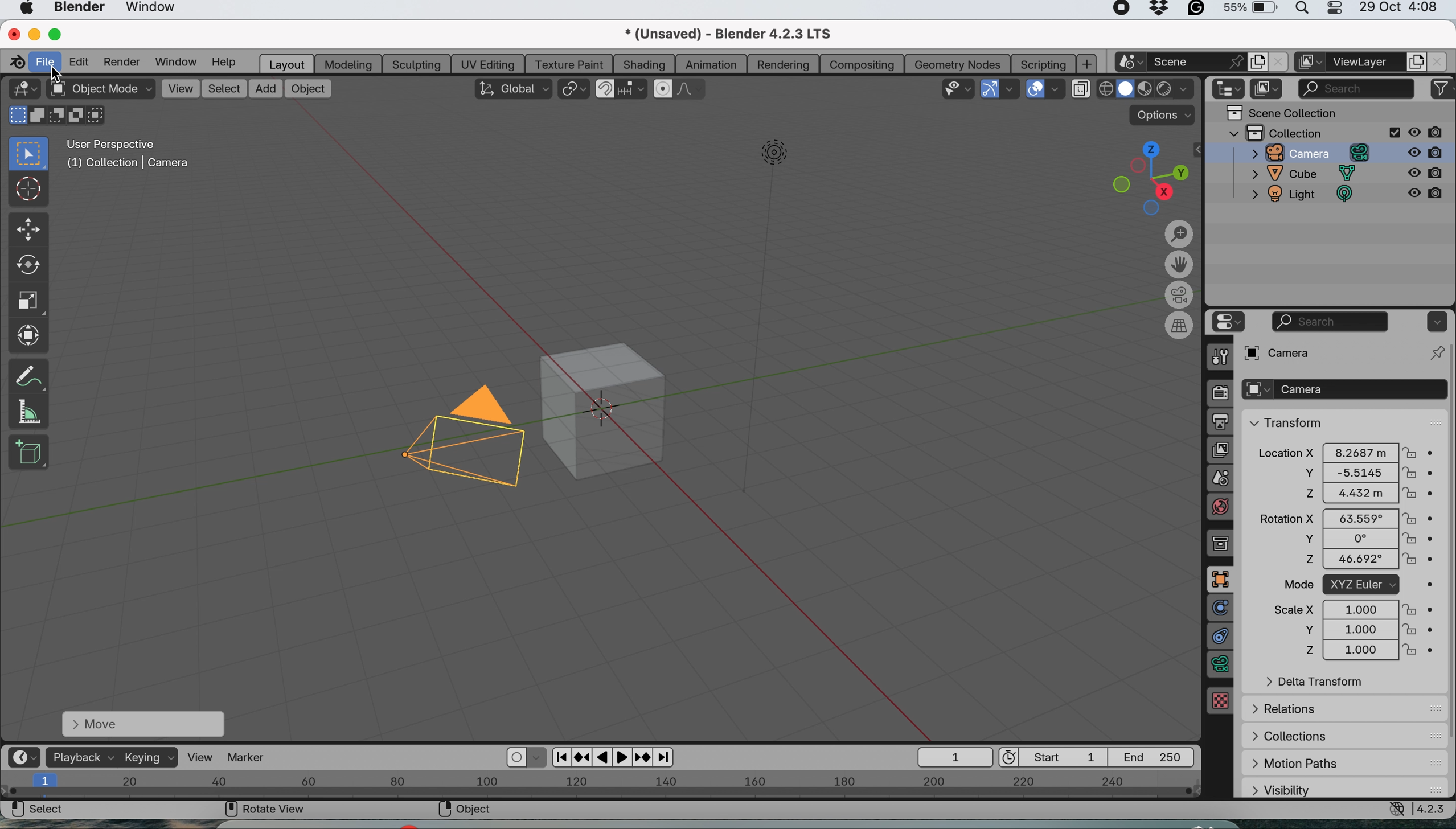  I want to click on animation, so click(711, 65).